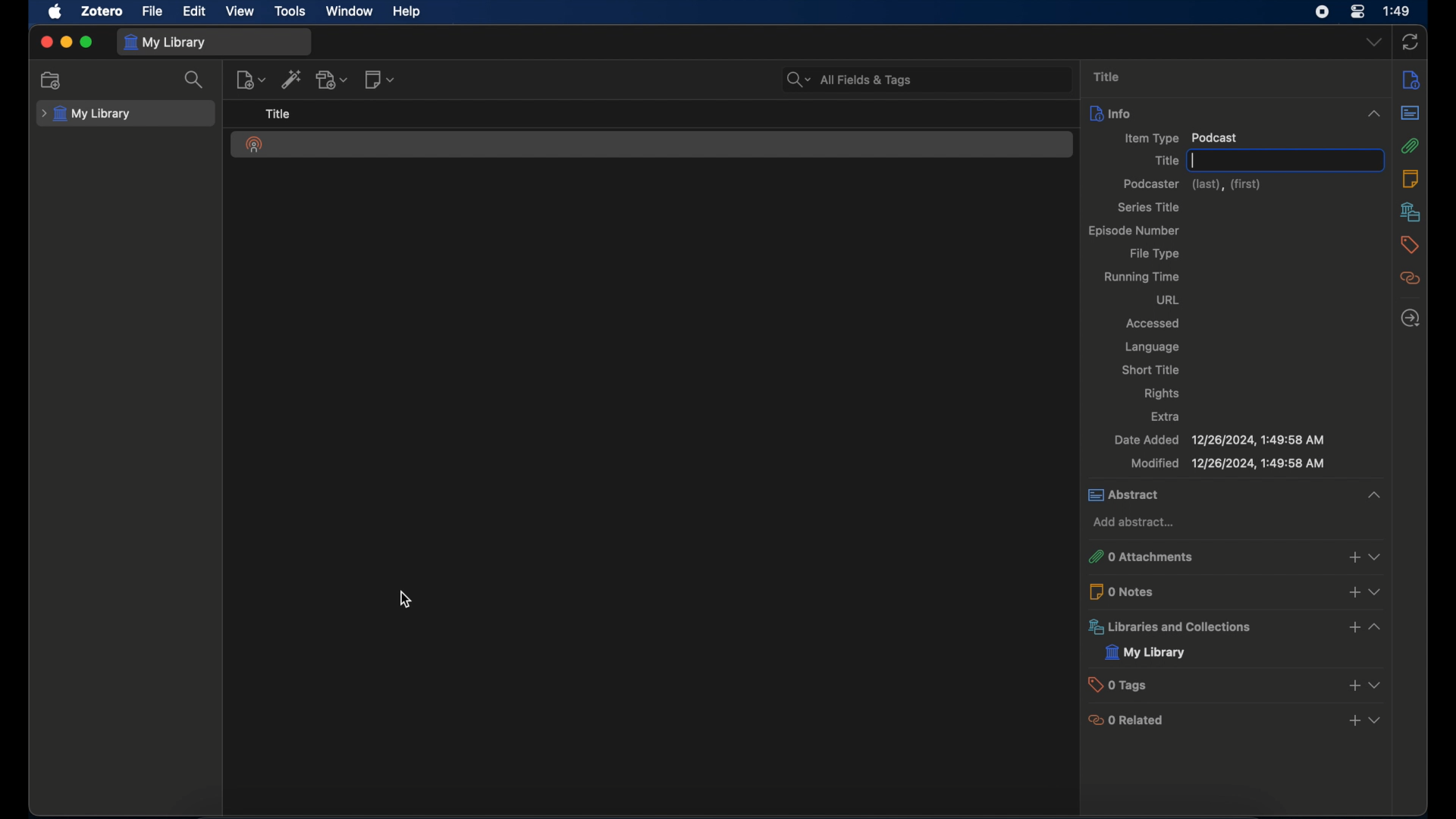  I want to click on minimize, so click(65, 43).